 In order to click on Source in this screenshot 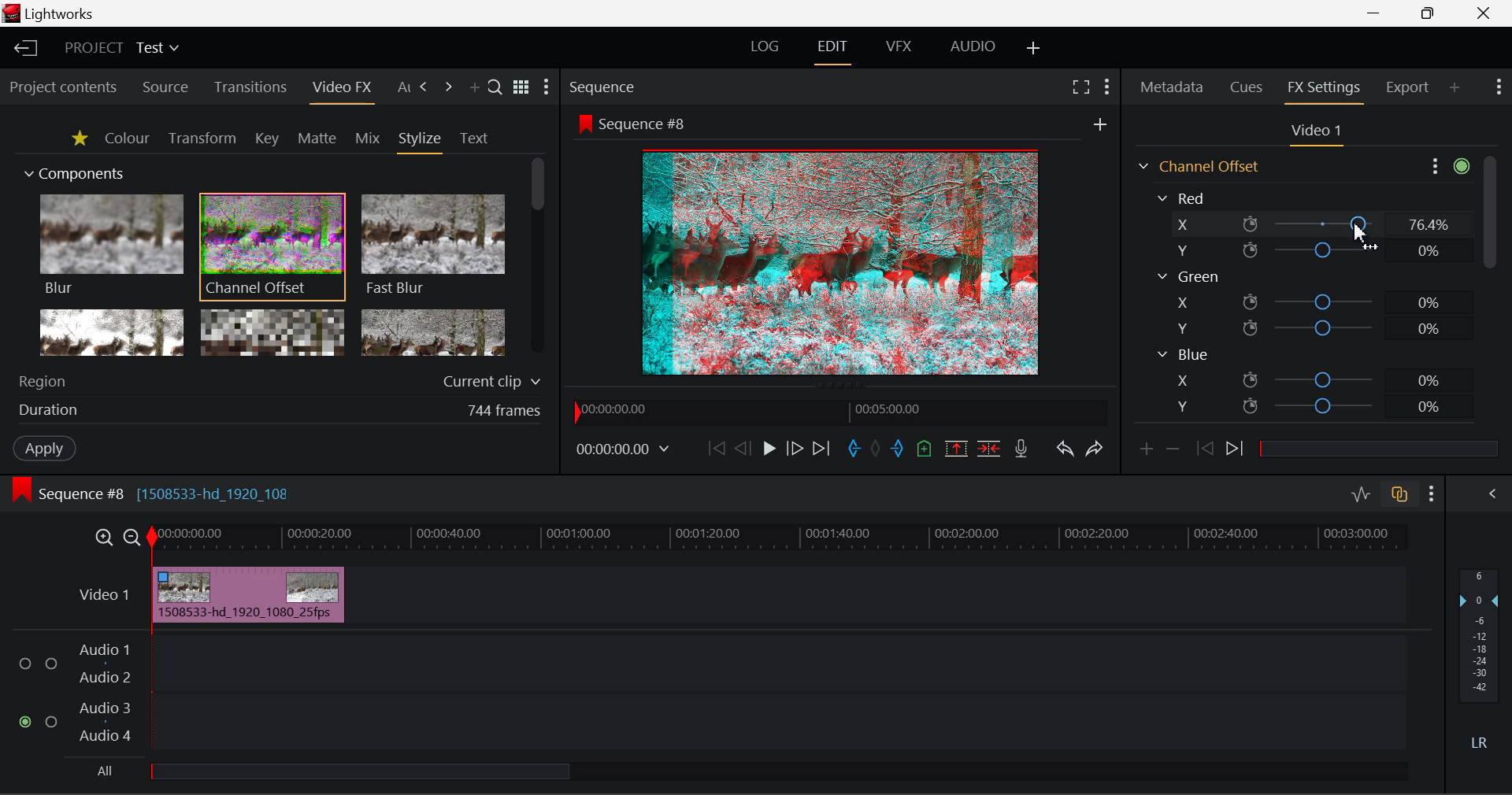, I will do `click(167, 87)`.